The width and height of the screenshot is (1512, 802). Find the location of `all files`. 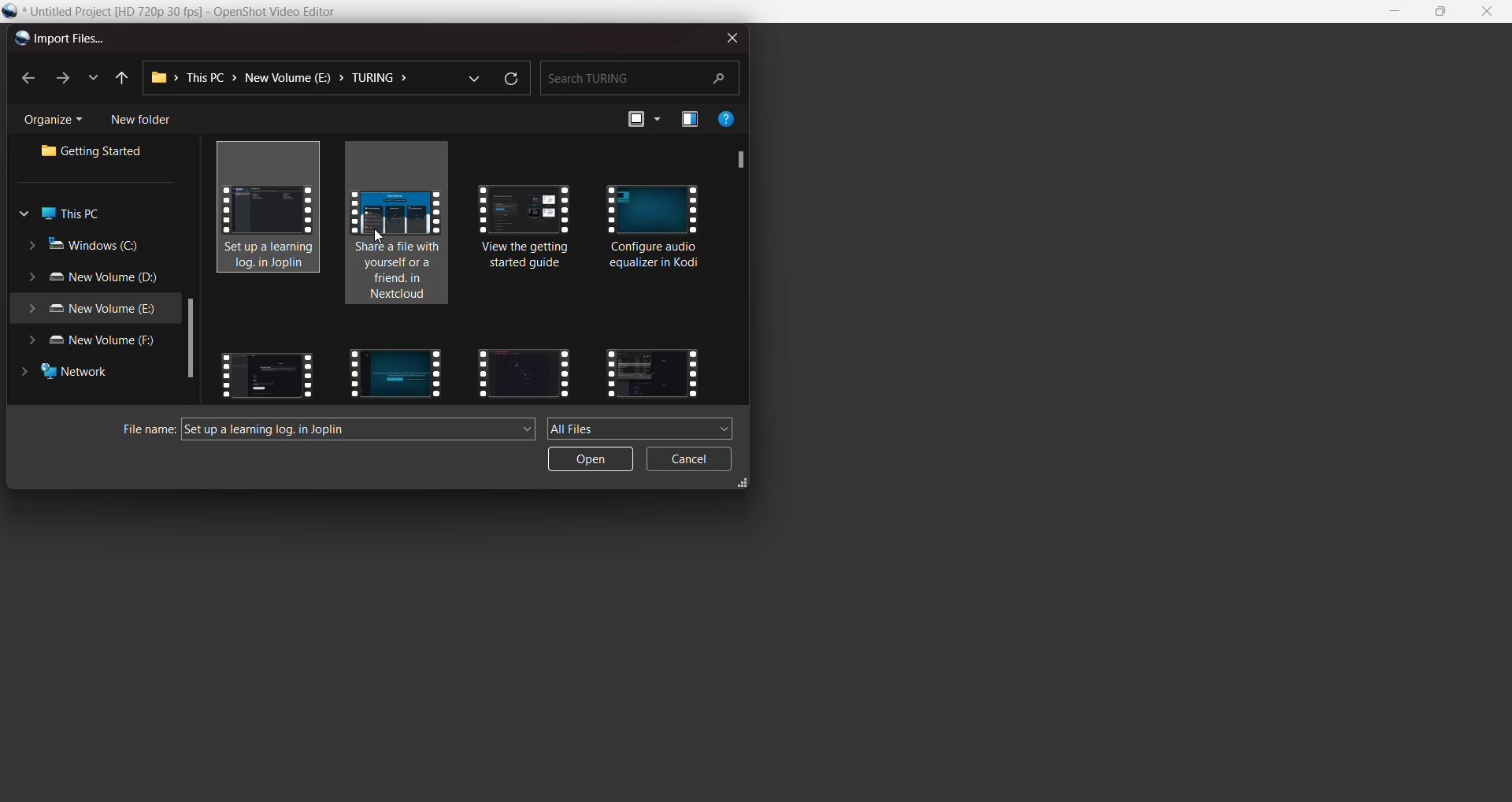

all files is located at coordinates (641, 428).